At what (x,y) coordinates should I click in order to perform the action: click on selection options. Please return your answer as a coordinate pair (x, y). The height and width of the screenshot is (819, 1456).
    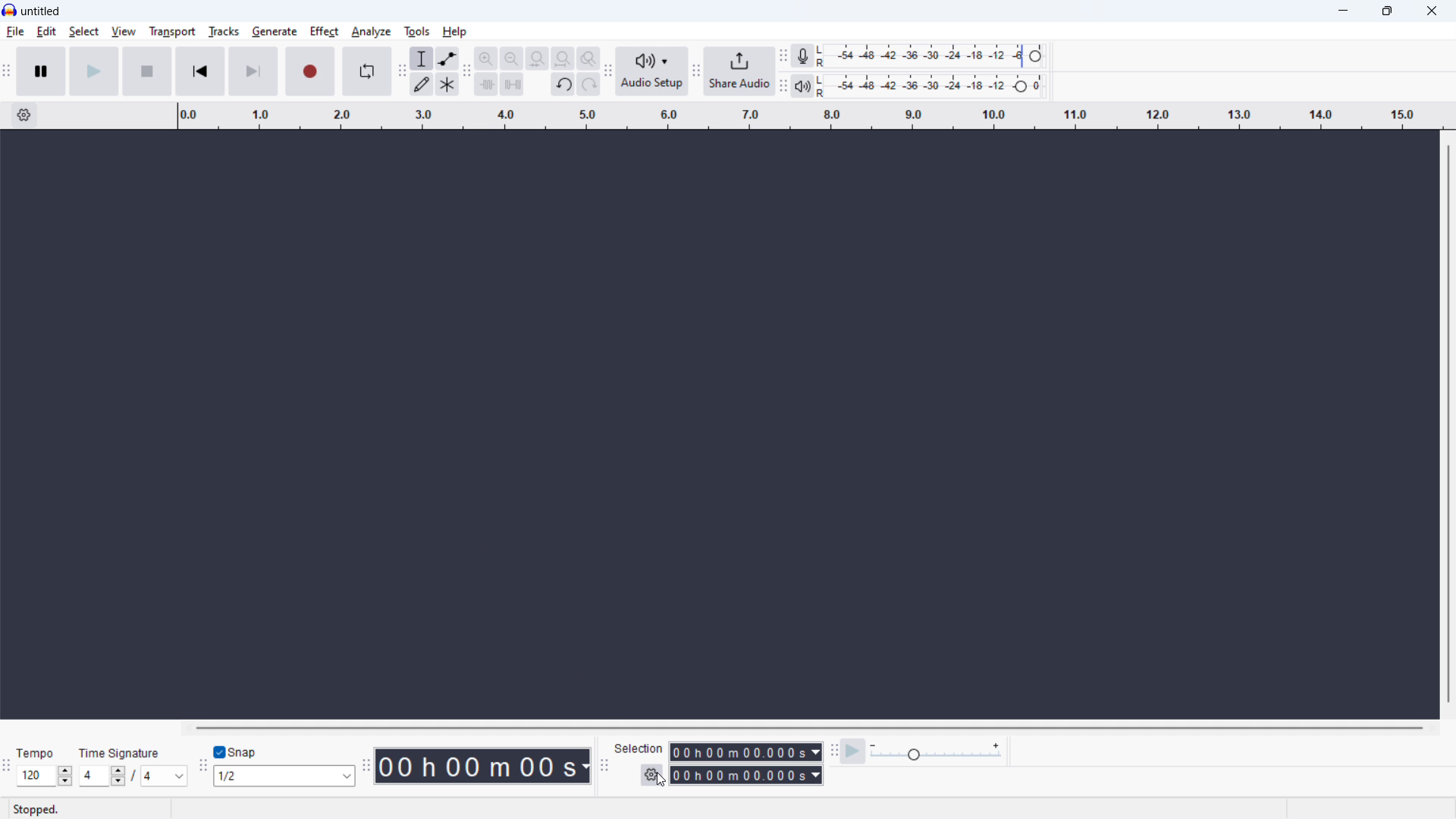
    Looking at the image, I should click on (650, 773).